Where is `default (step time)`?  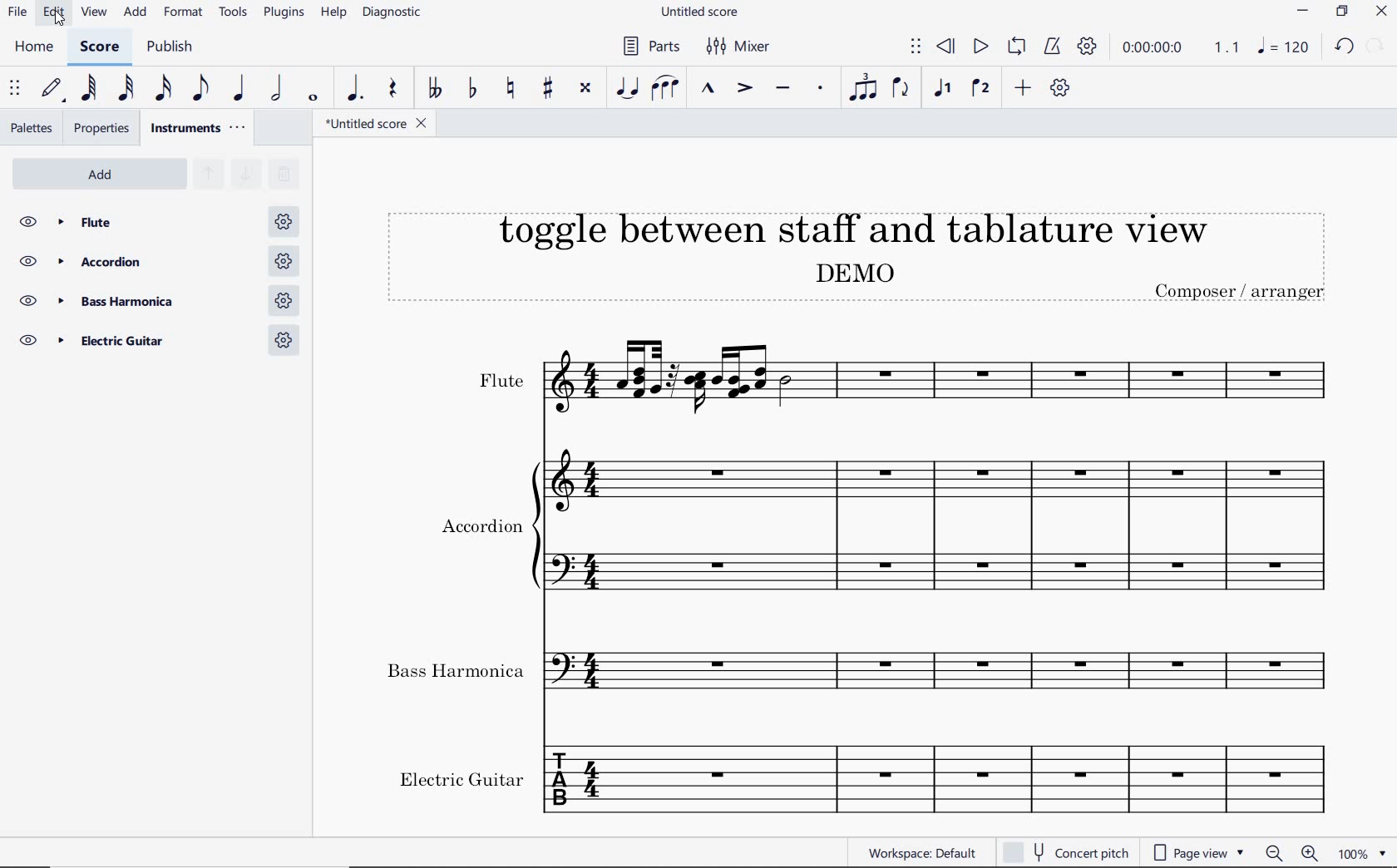 default (step time) is located at coordinates (52, 89).